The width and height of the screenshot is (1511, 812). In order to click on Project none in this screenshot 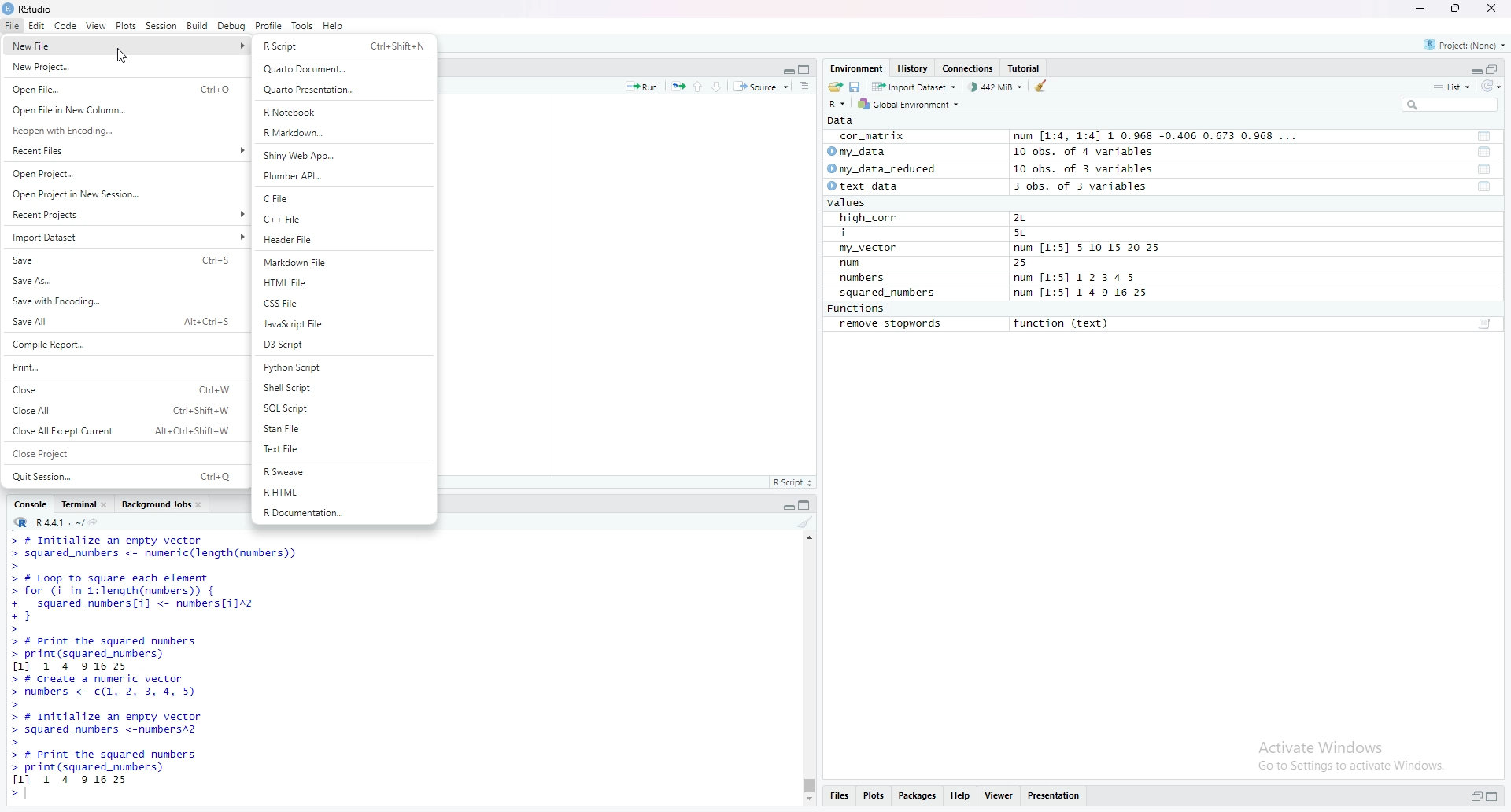, I will do `click(1465, 43)`.